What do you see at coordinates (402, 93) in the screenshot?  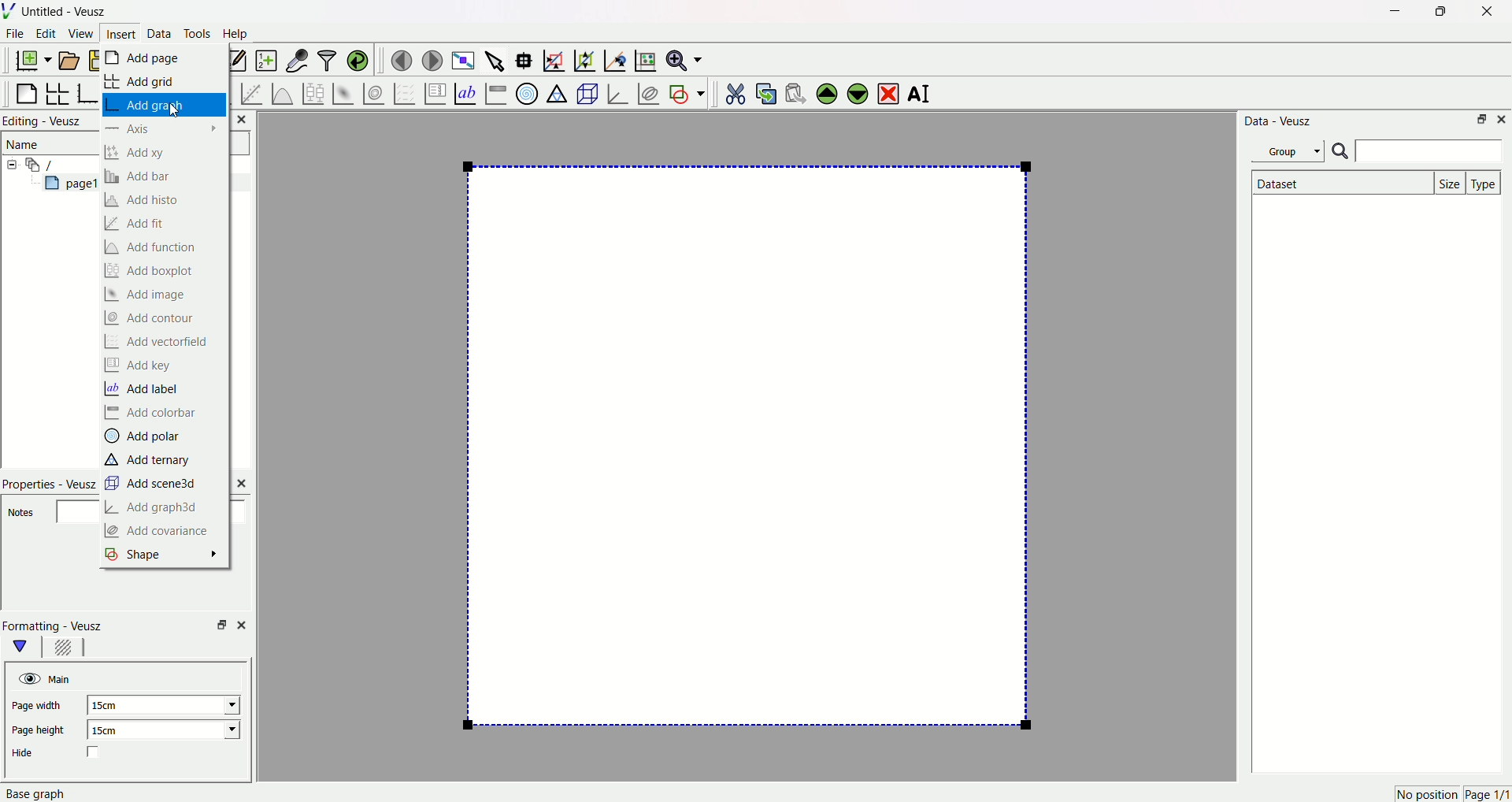 I see `plot a vector field` at bounding box center [402, 93].